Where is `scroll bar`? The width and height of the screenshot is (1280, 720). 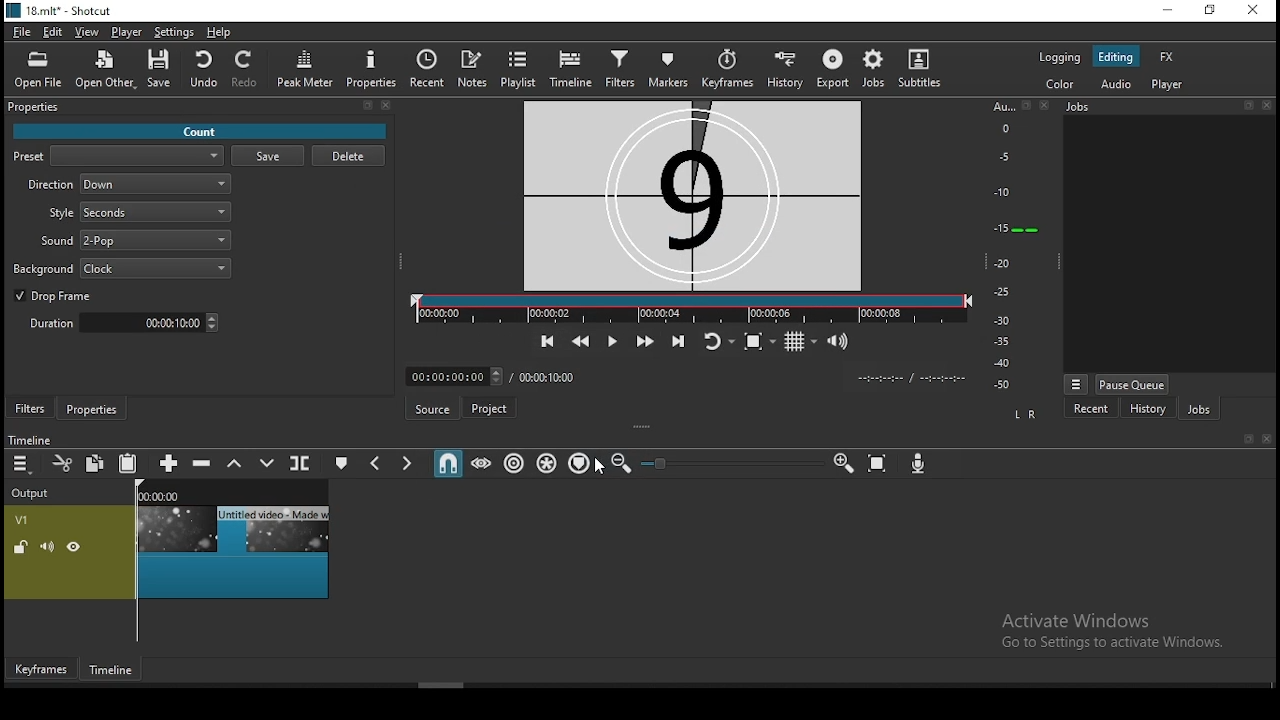 scroll bar is located at coordinates (462, 683).